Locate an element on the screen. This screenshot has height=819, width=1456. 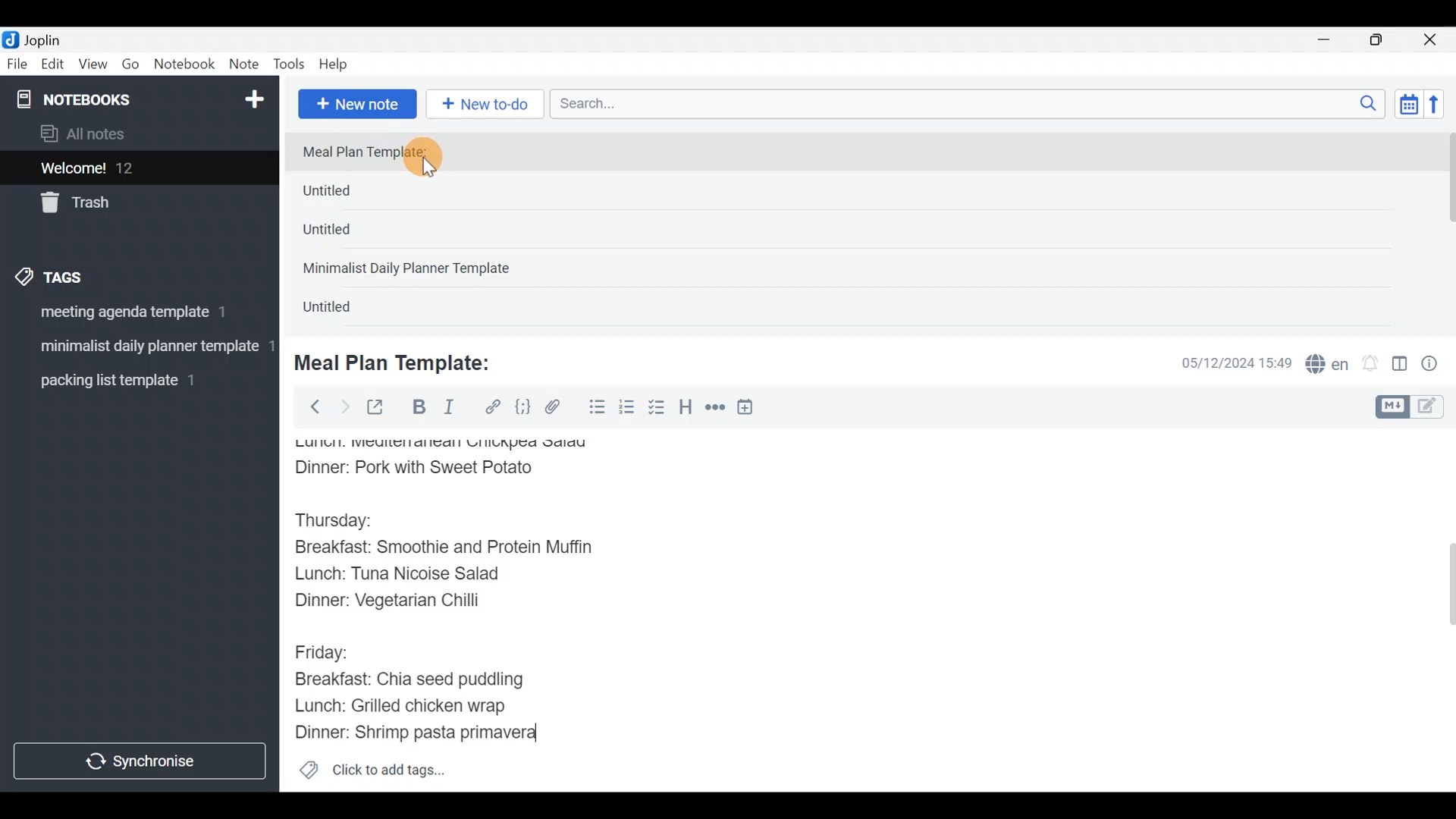
File is located at coordinates (18, 64).